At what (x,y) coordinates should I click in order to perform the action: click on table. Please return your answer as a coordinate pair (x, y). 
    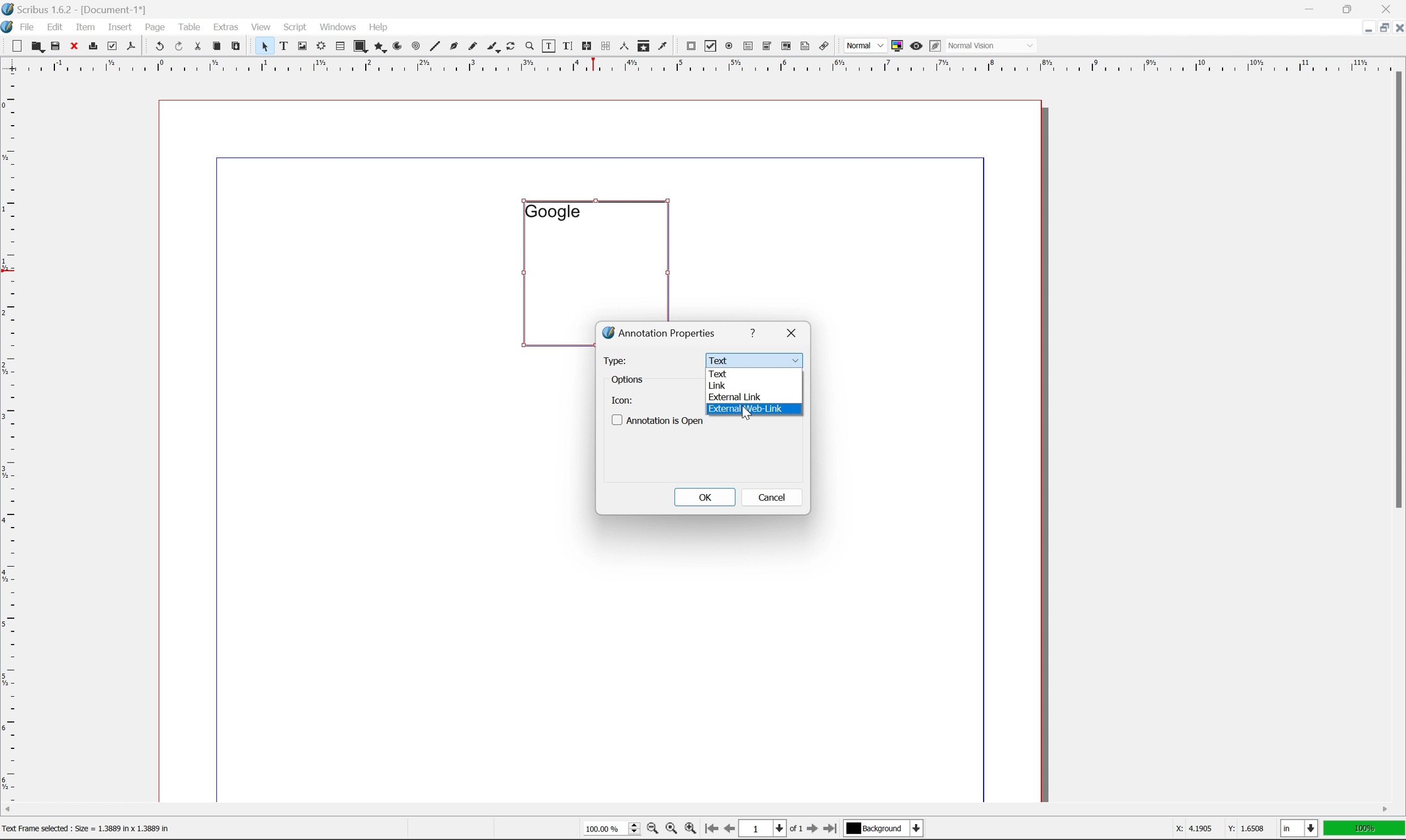
    Looking at the image, I should click on (340, 47).